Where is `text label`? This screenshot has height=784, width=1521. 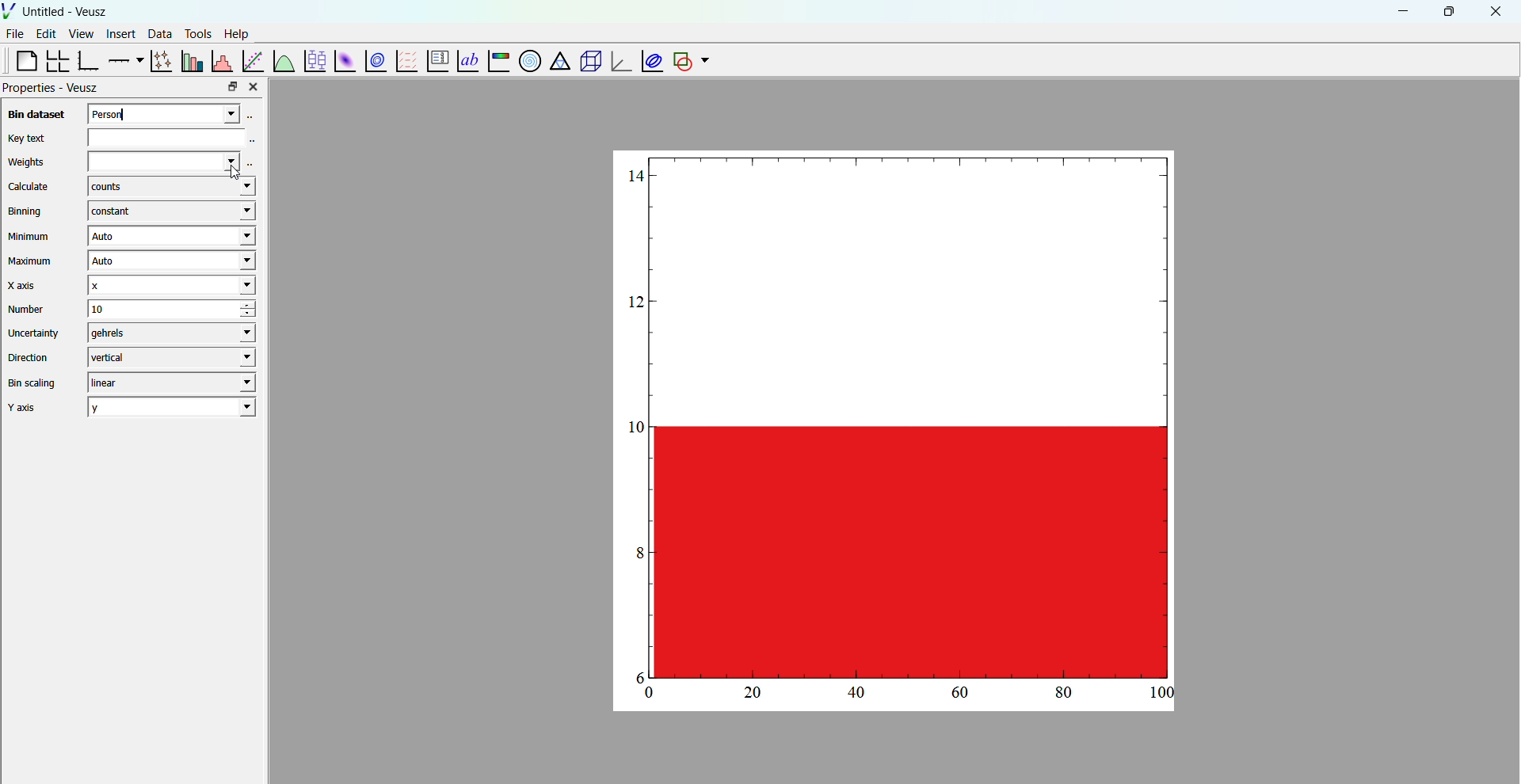
text label is located at coordinates (466, 59).